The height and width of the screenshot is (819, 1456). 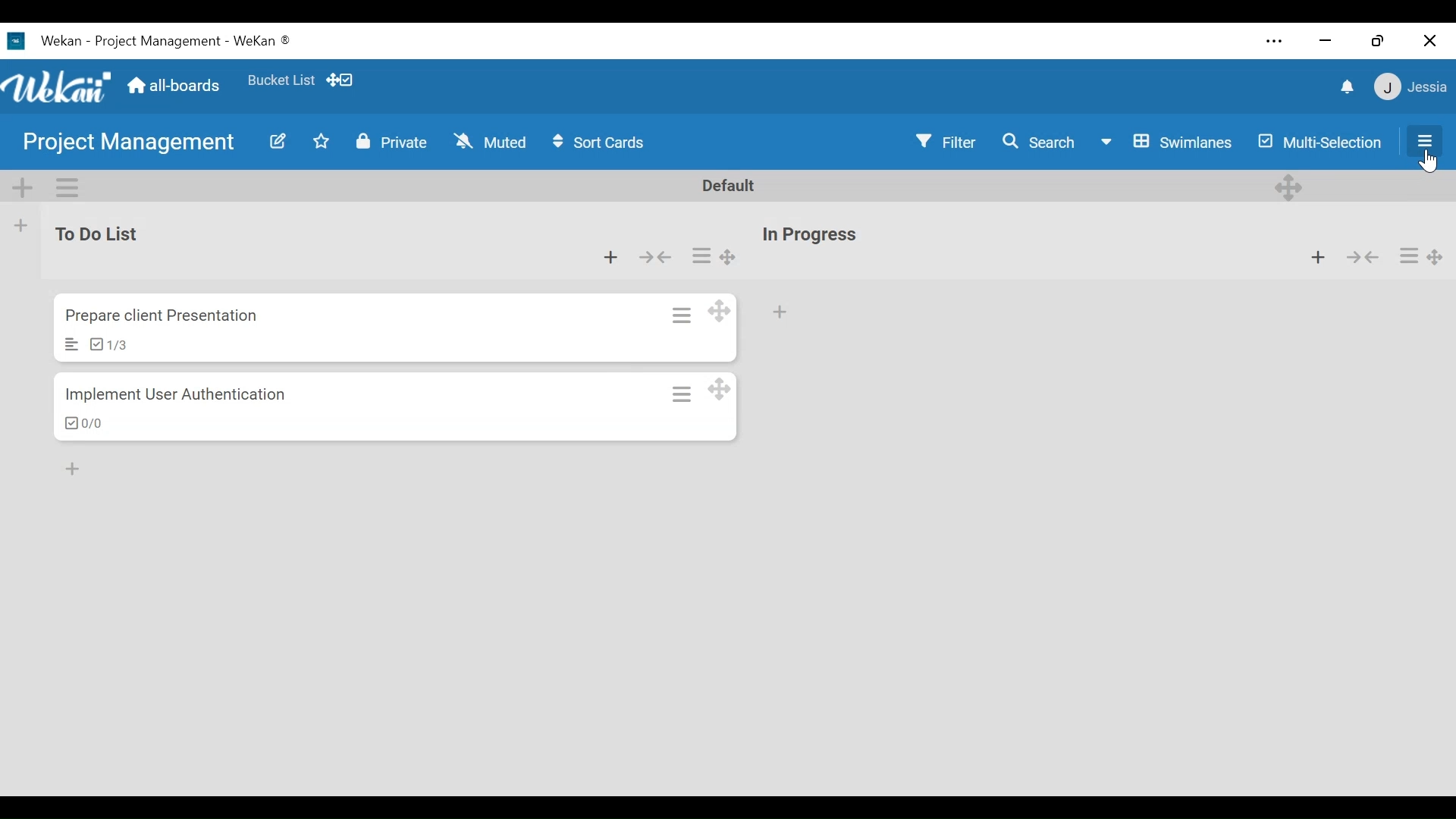 I want to click on Add Swimlane, so click(x=21, y=187).